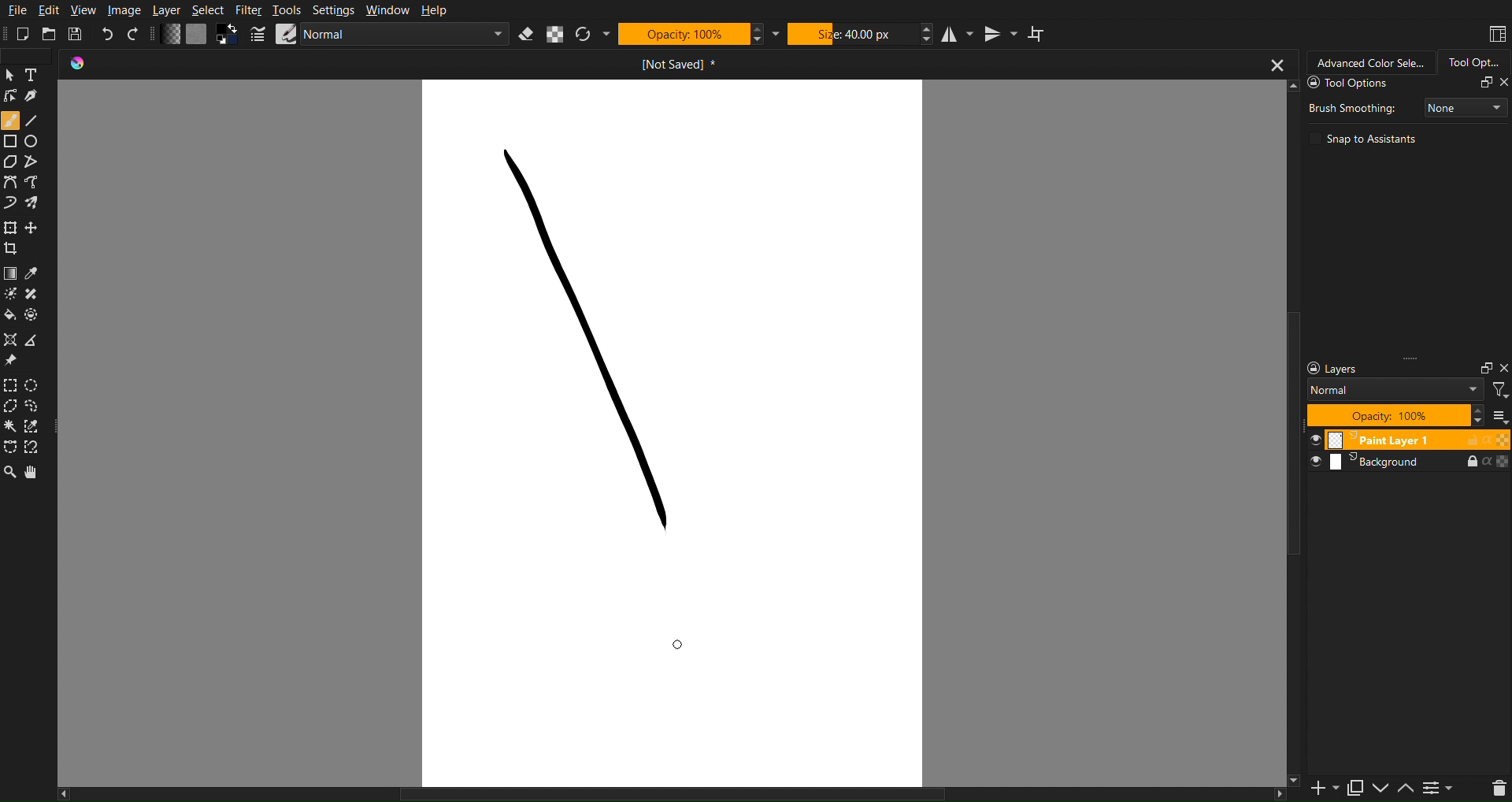 The height and width of the screenshot is (802, 1512). I want to click on Color Fill, so click(11, 314).